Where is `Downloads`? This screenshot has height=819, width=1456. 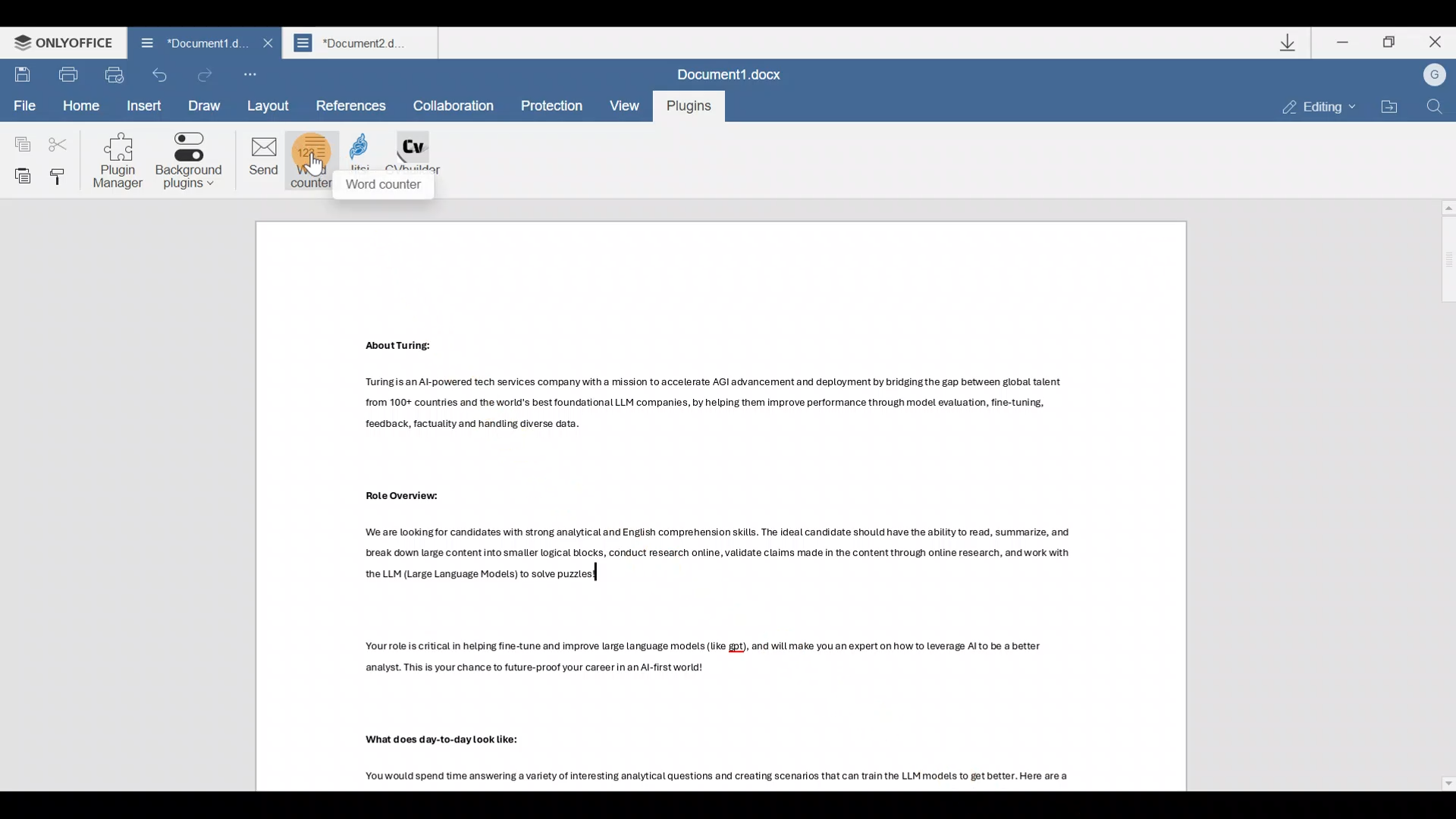 Downloads is located at coordinates (1288, 42).